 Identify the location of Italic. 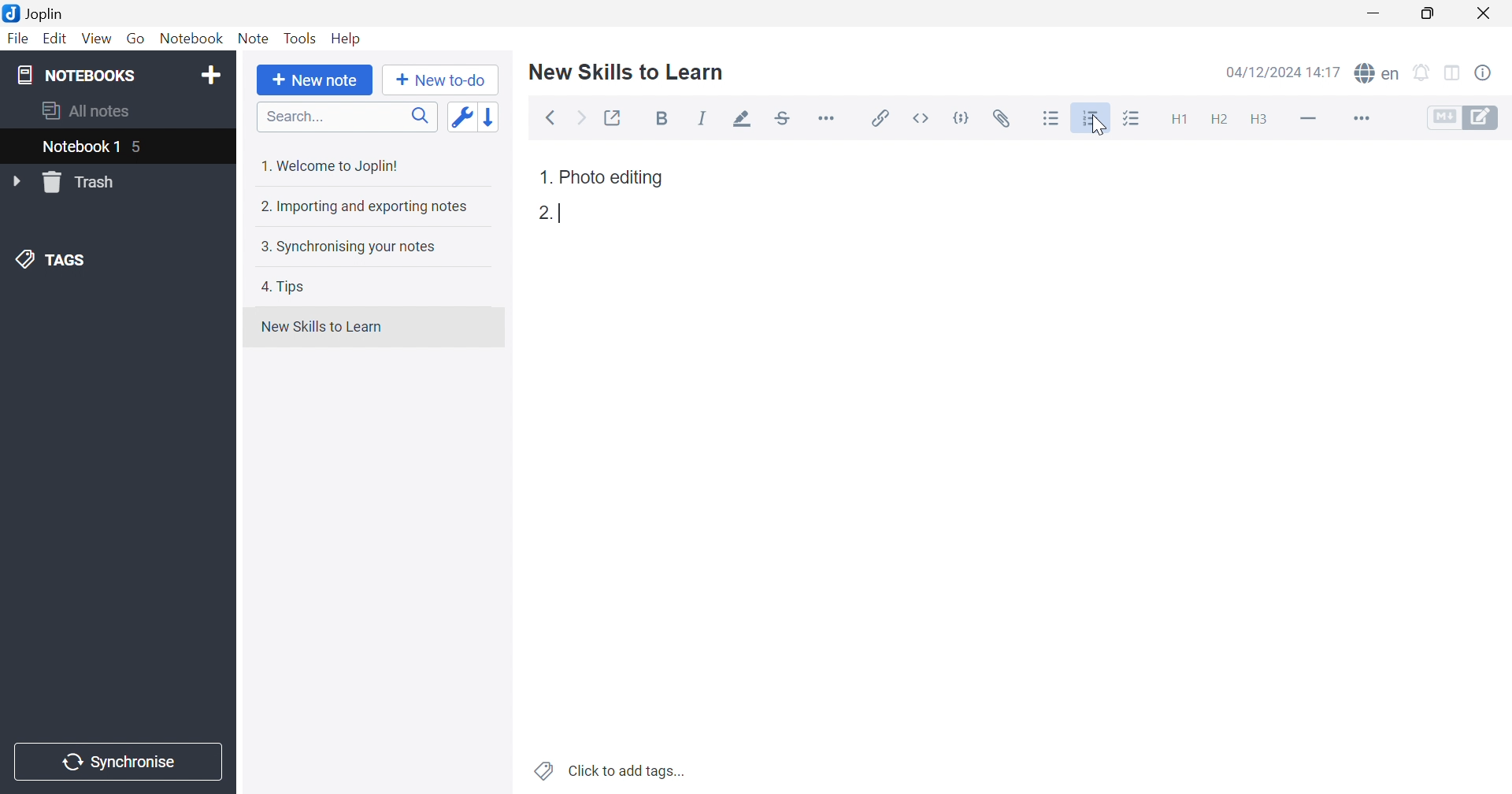
(702, 118).